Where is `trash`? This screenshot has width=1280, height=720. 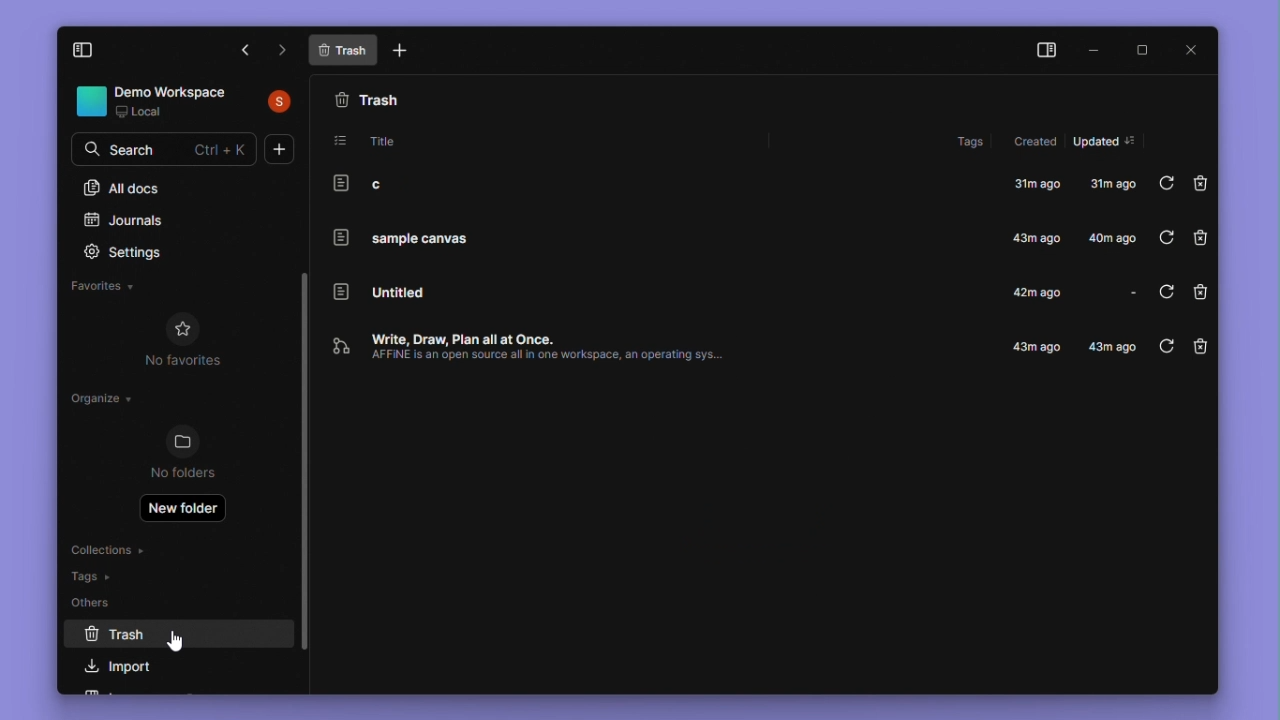 trash is located at coordinates (372, 97).